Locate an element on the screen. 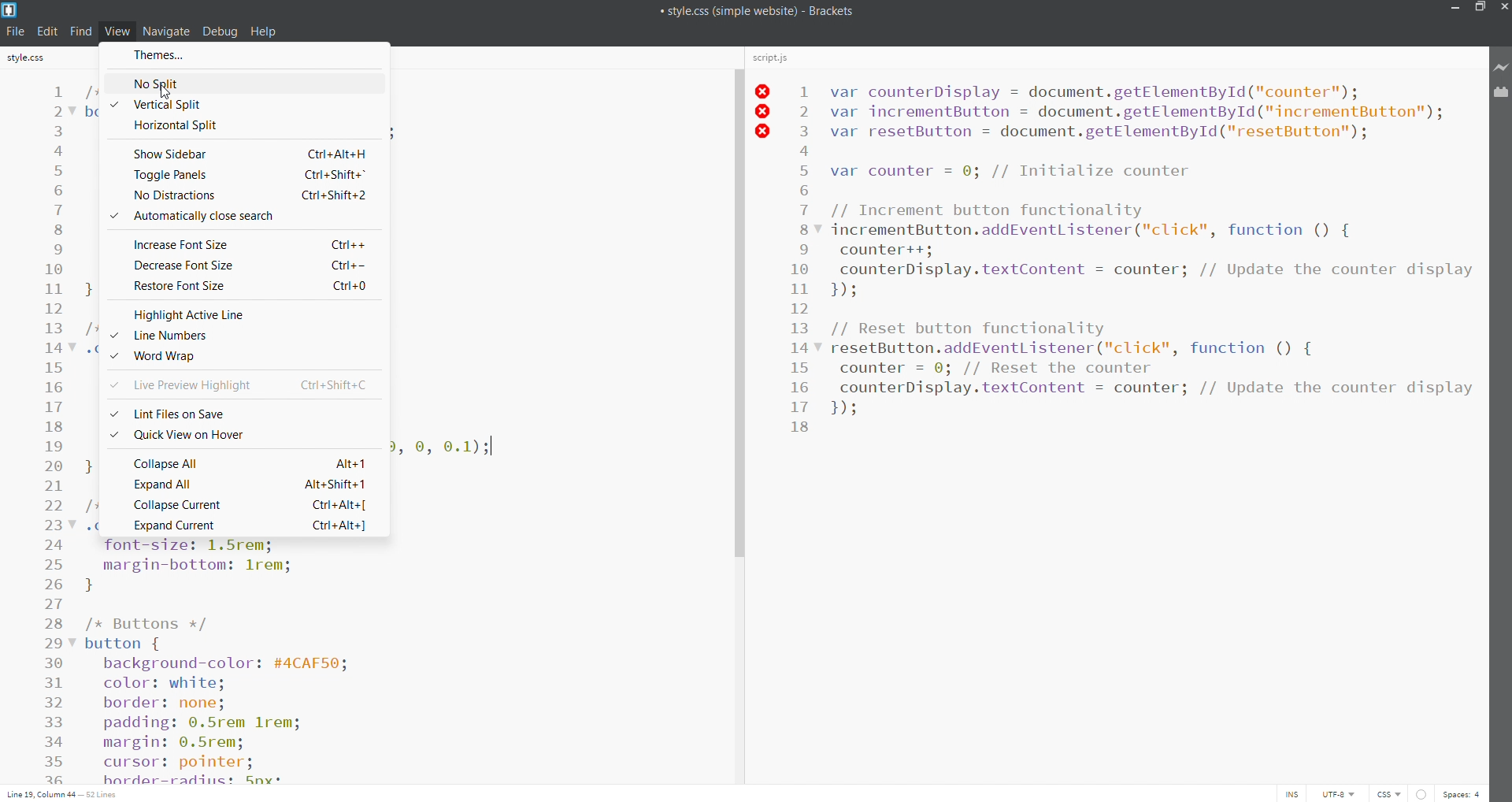 Image resolution: width=1512 pixels, height=802 pixels. edit is located at coordinates (47, 29).